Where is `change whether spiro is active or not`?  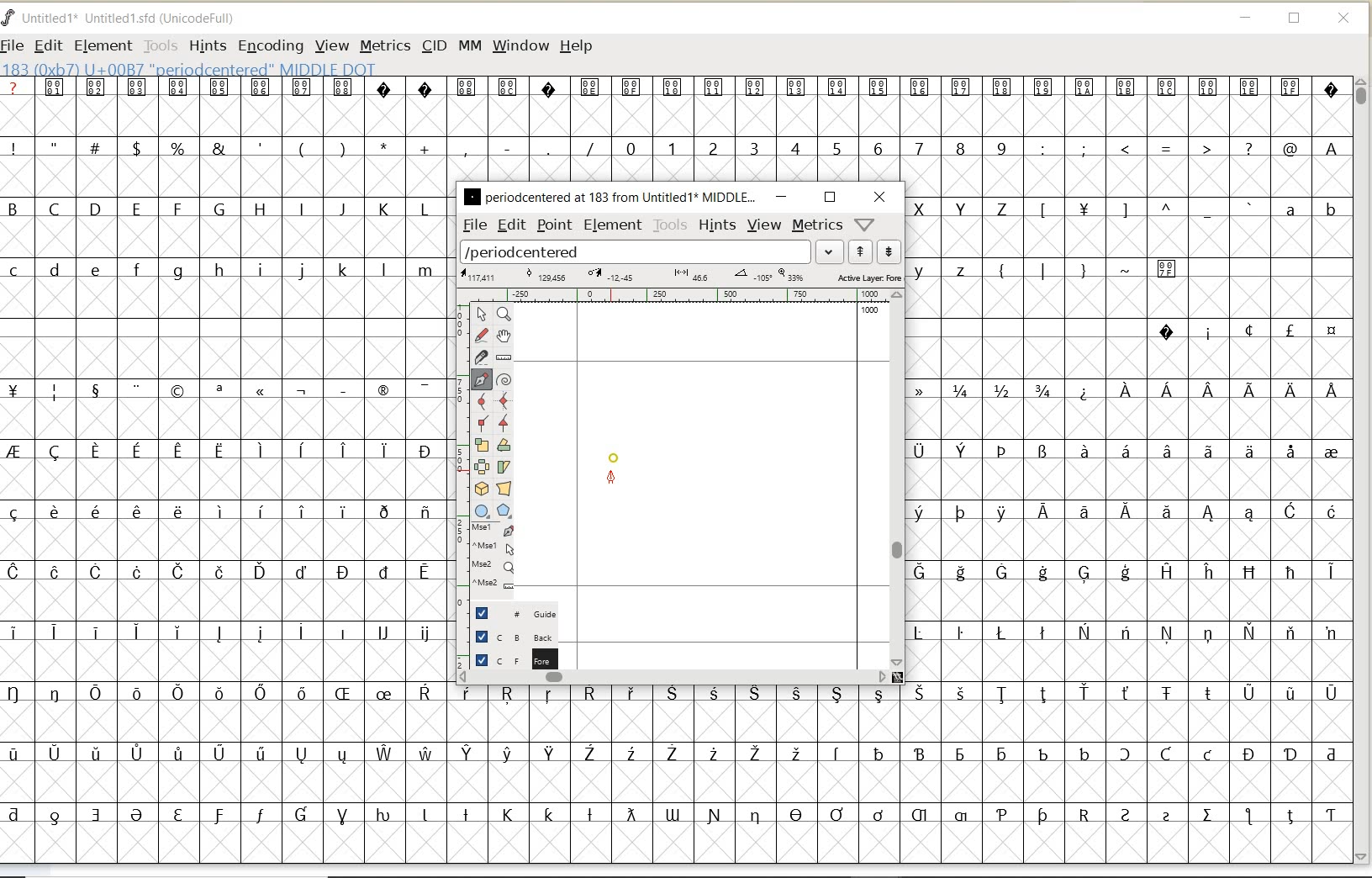
change whether spiro is active or not is located at coordinates (504, 378).